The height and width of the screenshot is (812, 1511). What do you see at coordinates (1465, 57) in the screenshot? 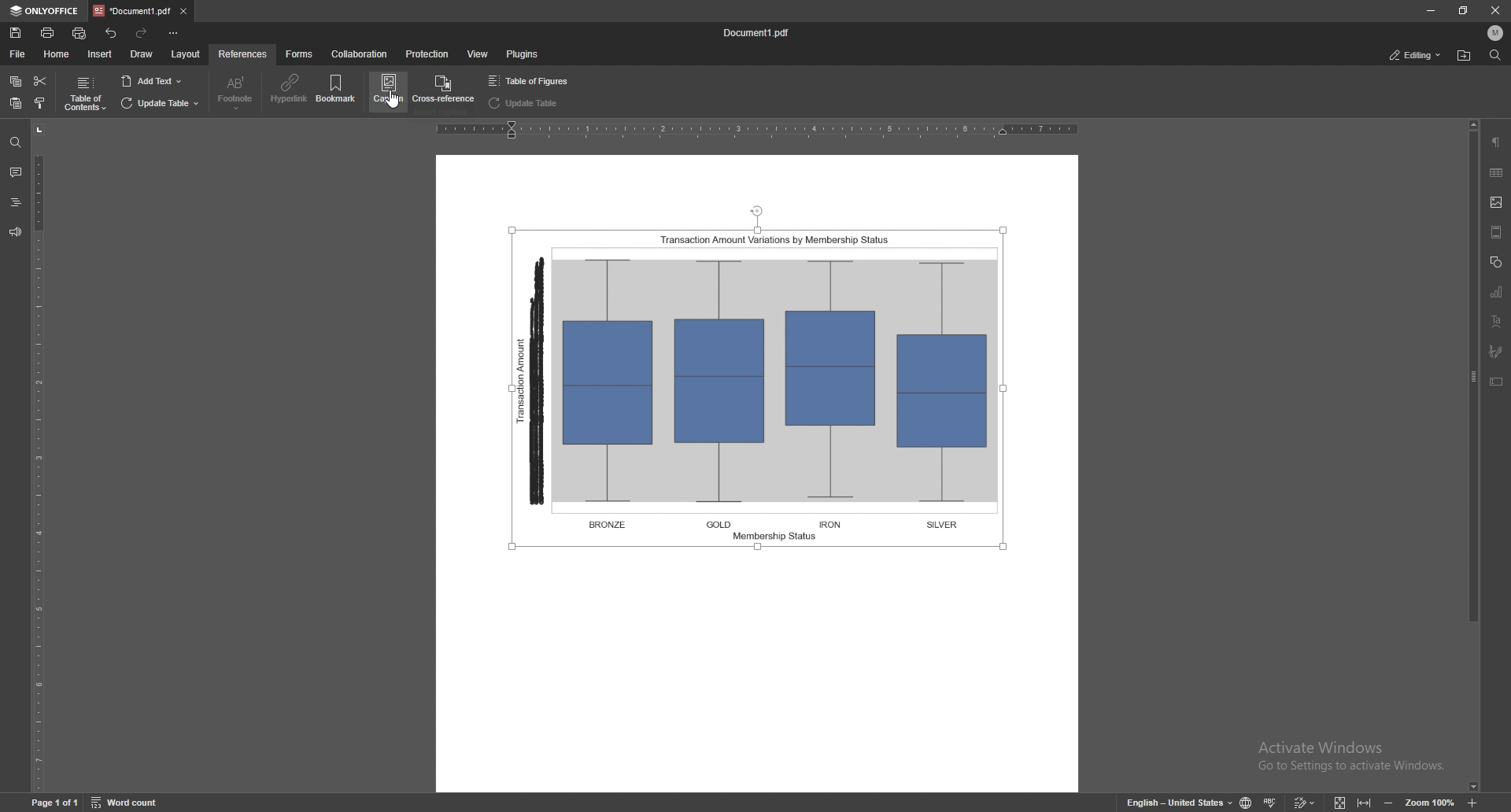
I see `locate file` at bounding box center [1465, 57].